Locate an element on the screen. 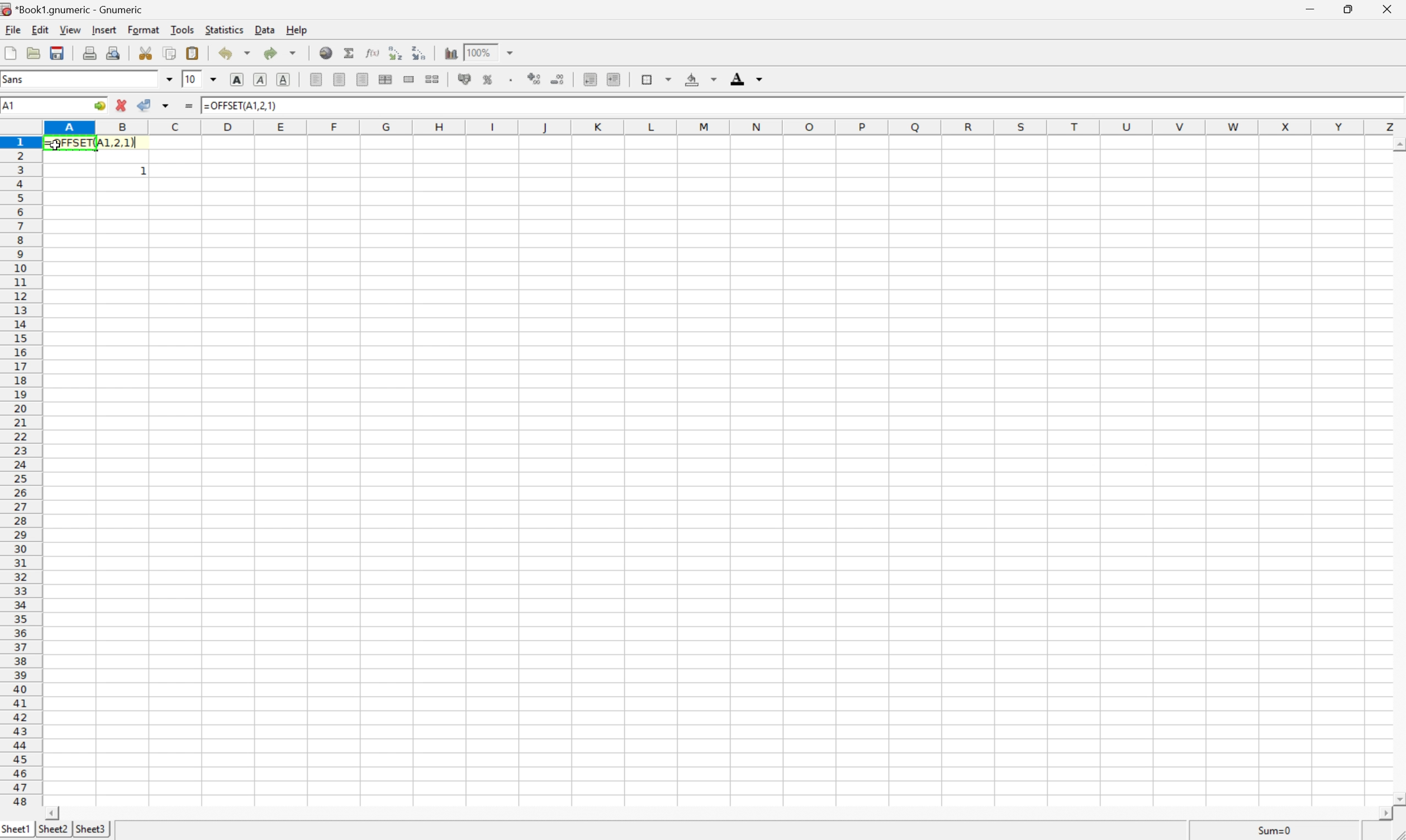  statistics is located at coordinates (224, 29).